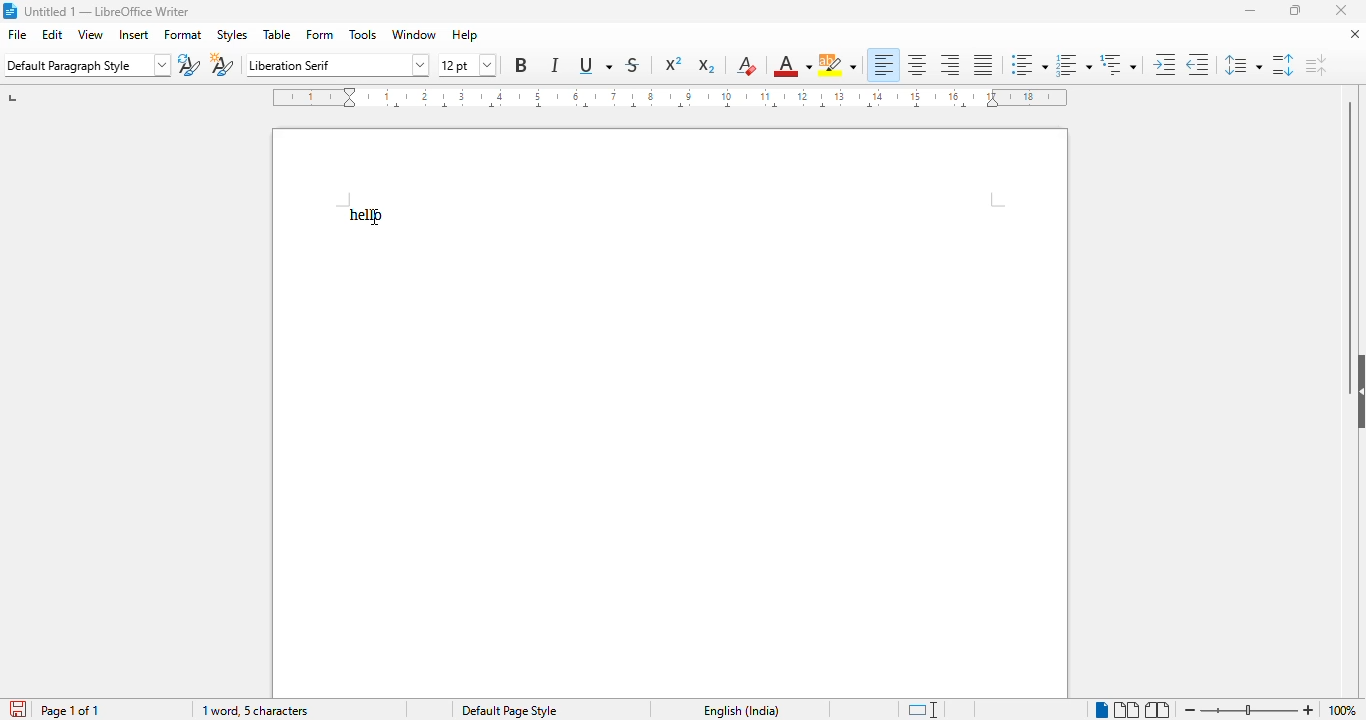 The height and width of the screenshot is (720, 1366). I want to click on increase paragraph spacing, so click(1281, 65).